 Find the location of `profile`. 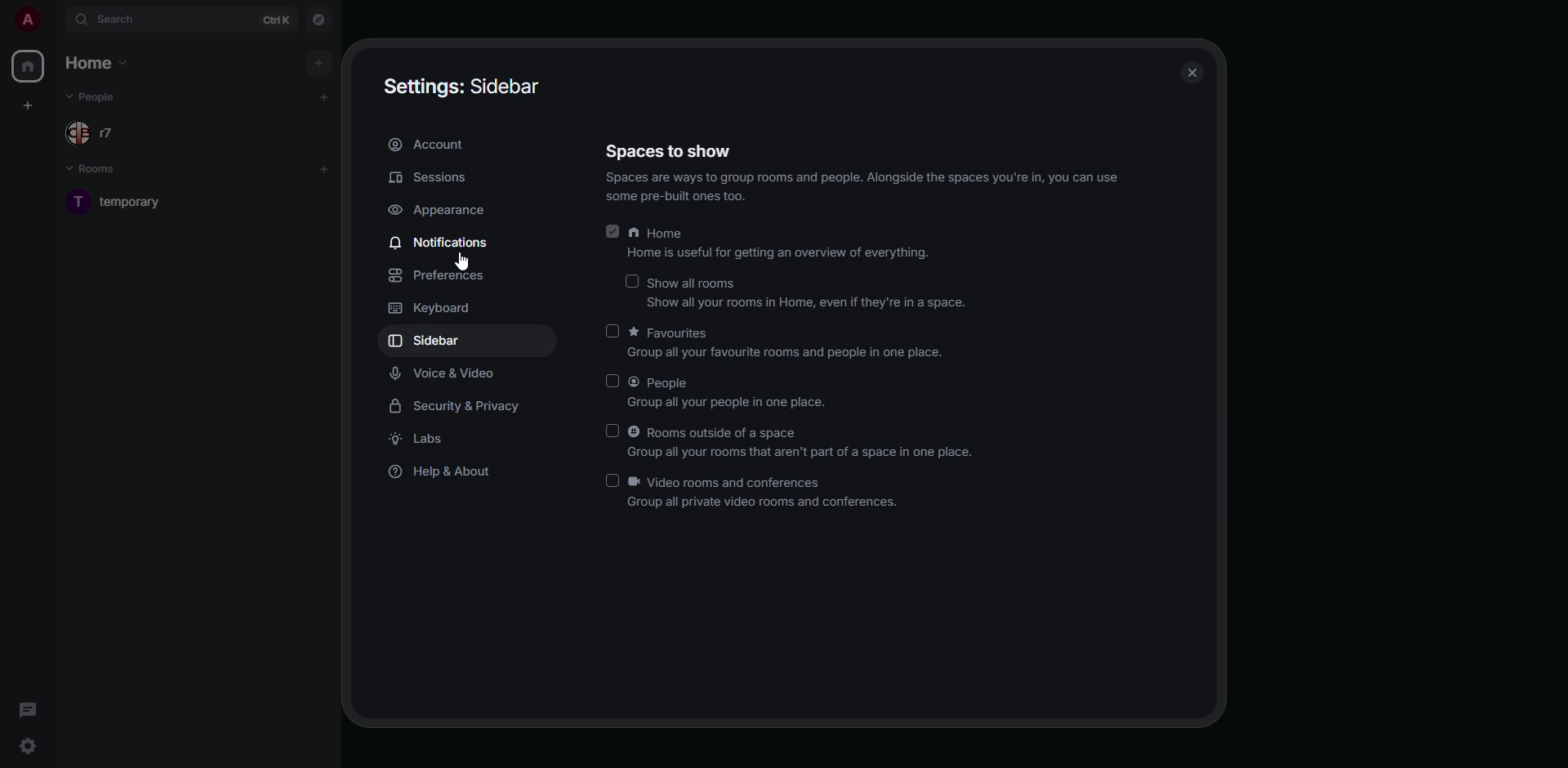

profile is located at coordinates (25, 20).